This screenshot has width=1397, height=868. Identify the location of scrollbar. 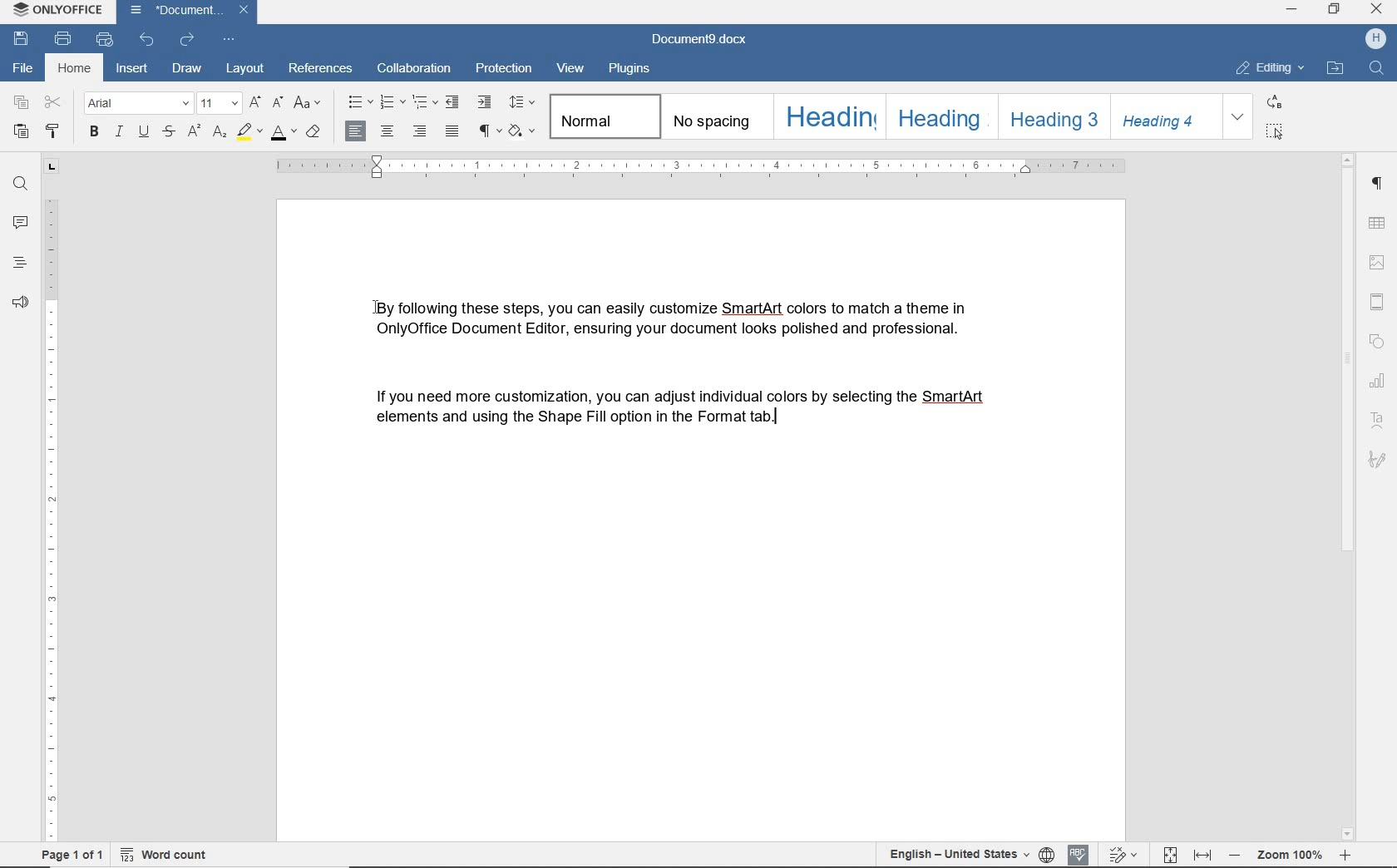
(1347, 496).